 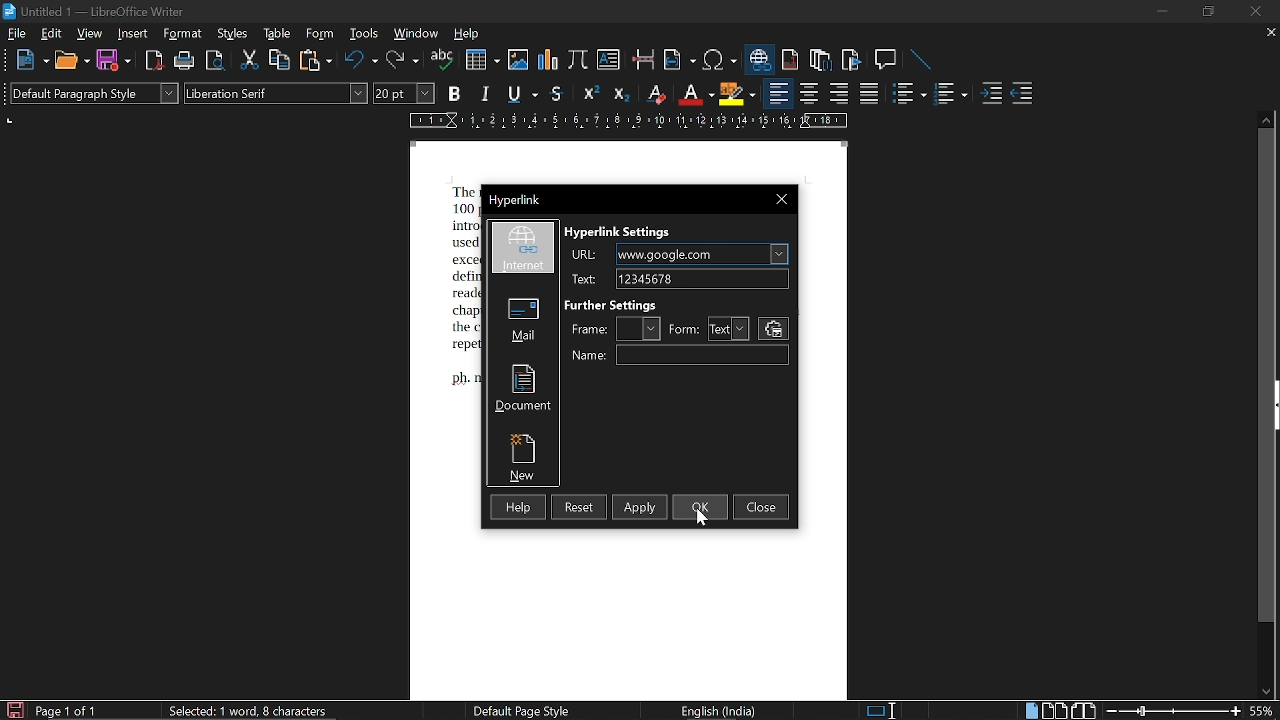 What do you see at coordinates (401, 61) in the screenshot?
I see `redo` at bounding box center [401, 61].